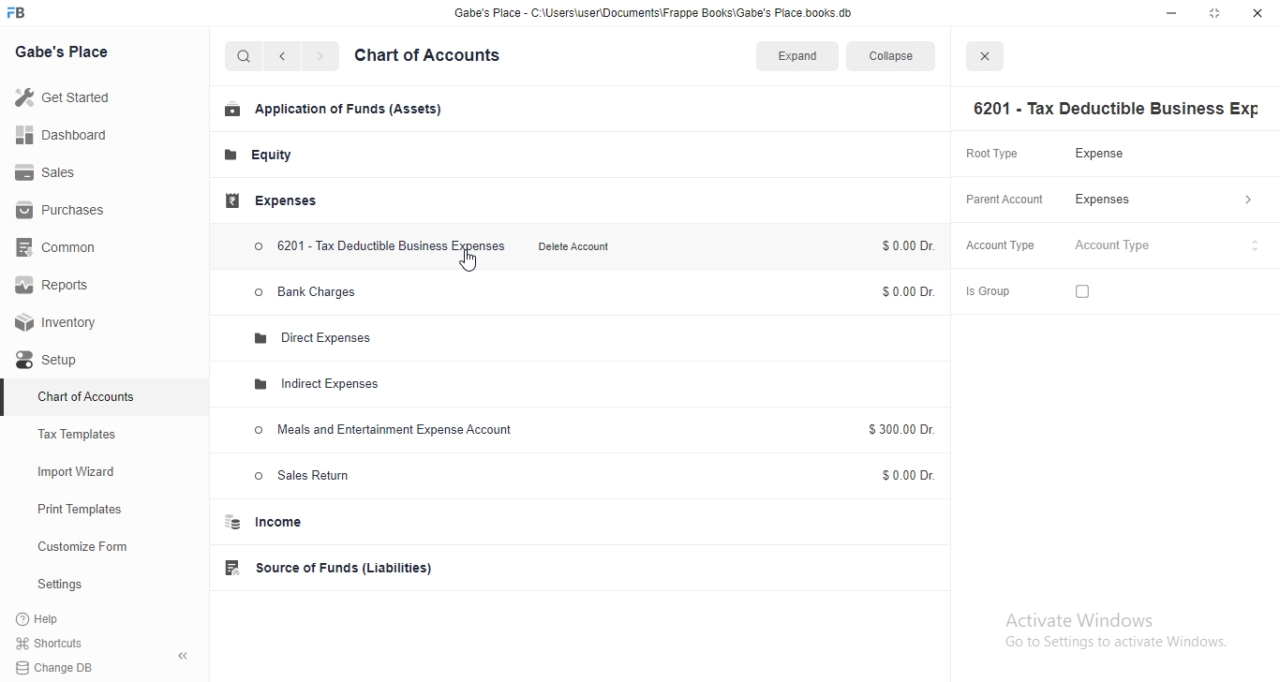  Describe the element at coordinates (86, 393) in the screenshot. I see `Chart of Accounts.` at that location.